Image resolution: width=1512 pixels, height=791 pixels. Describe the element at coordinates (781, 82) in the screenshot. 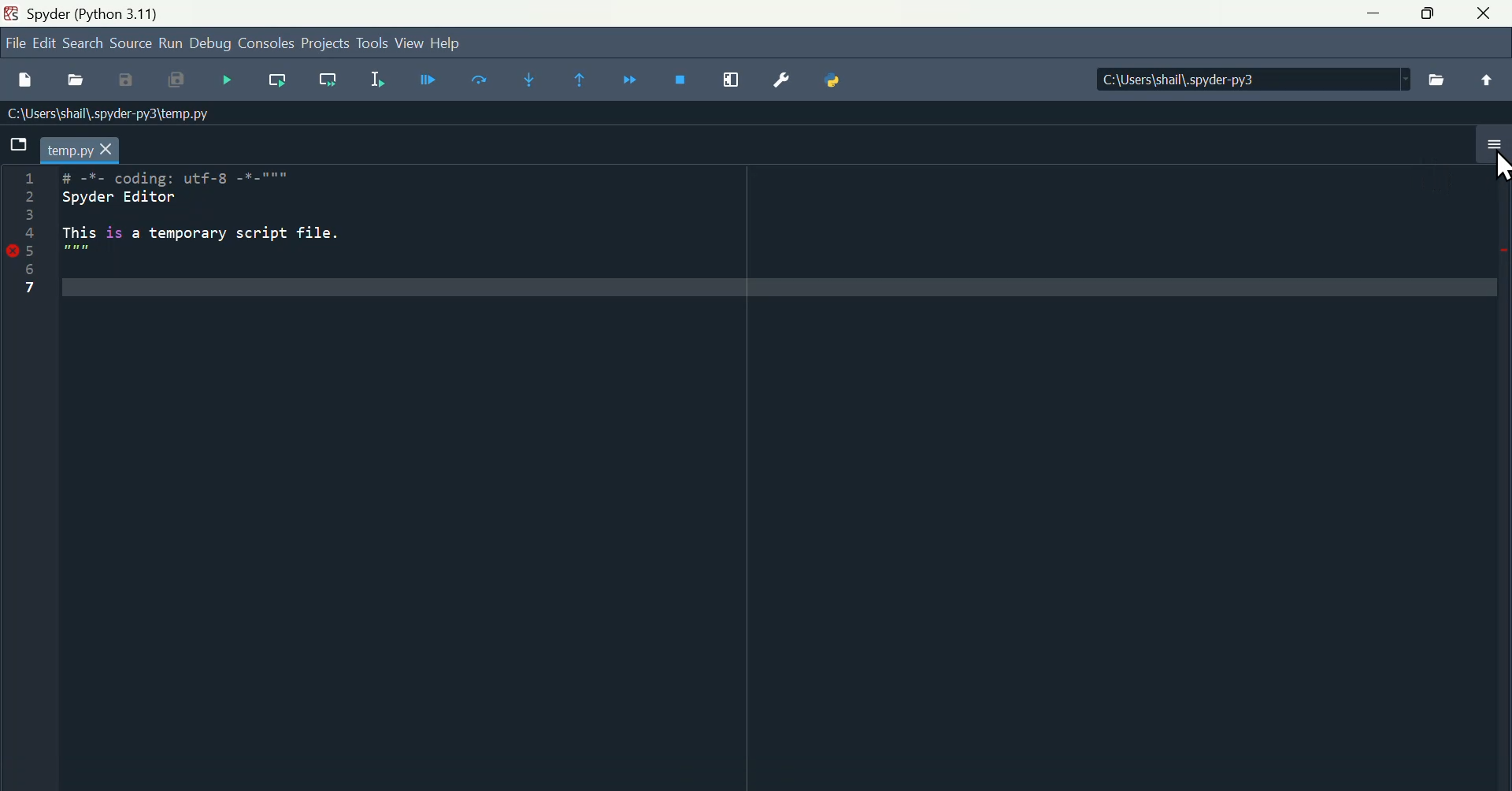

I see `Settings` at that location.